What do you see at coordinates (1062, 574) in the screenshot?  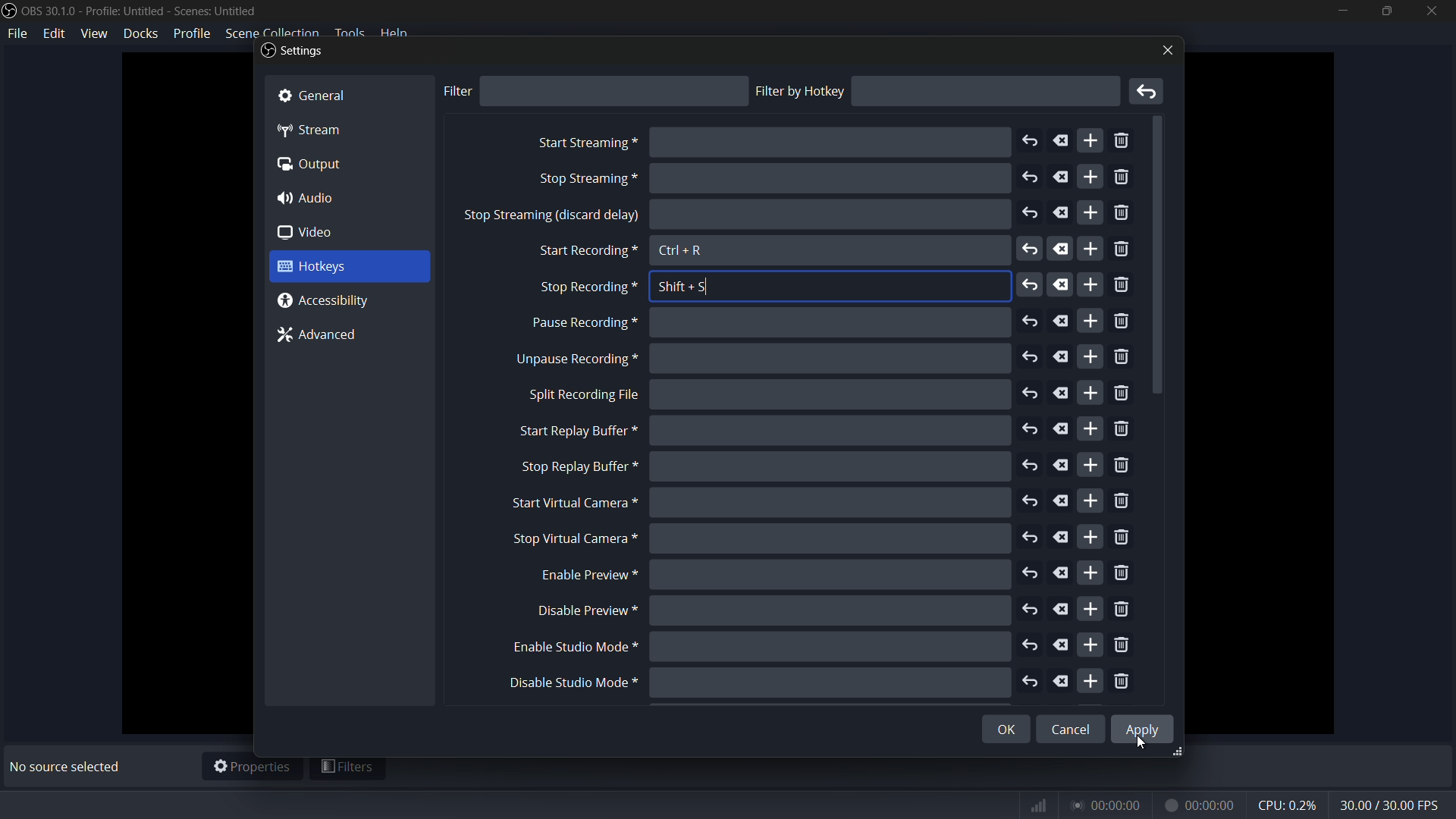 I see `delete` at bounding box center [1062, 574].